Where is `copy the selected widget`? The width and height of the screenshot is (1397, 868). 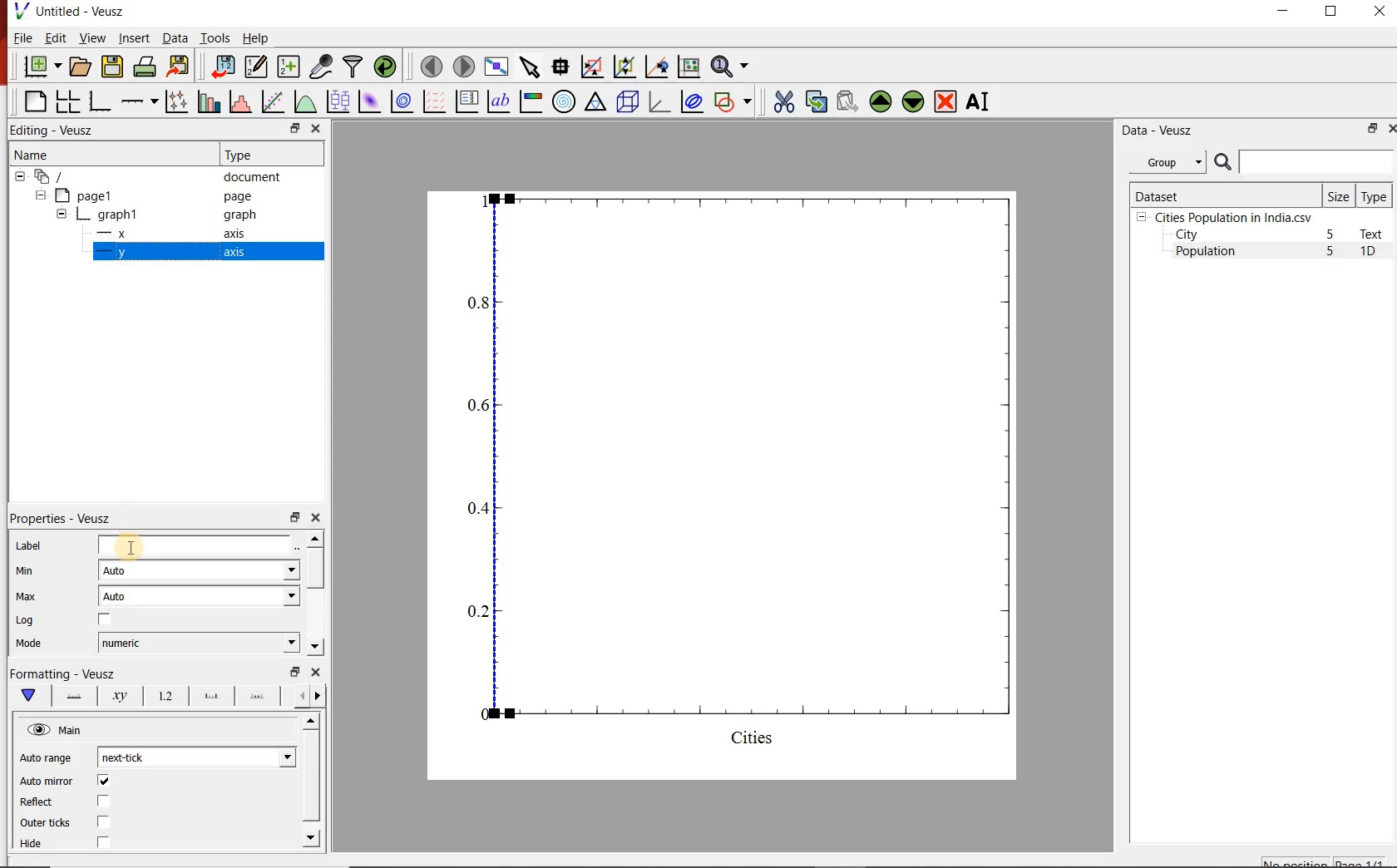
copy the selected widget is located at coordinates (815, 100).